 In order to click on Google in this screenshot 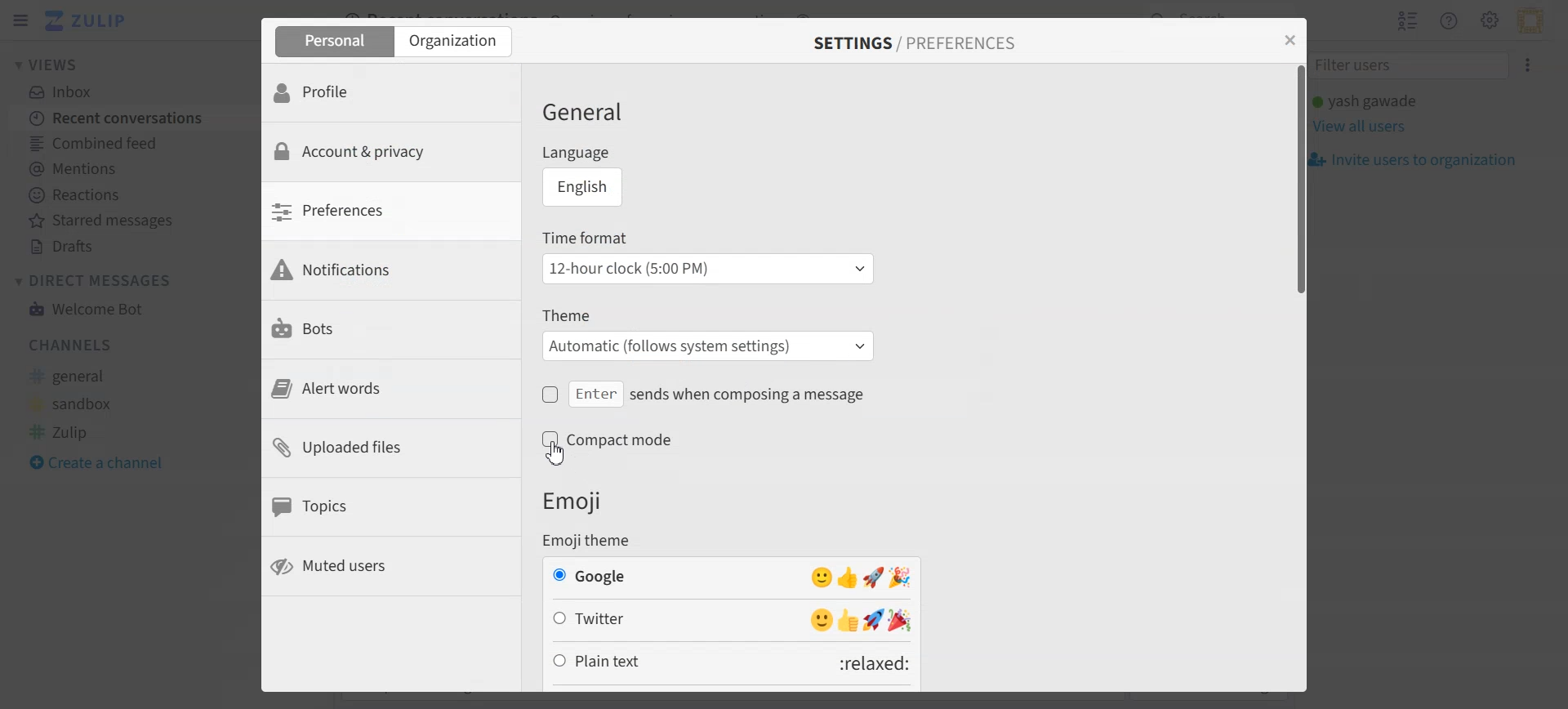, I will do `click(733, 577)`.